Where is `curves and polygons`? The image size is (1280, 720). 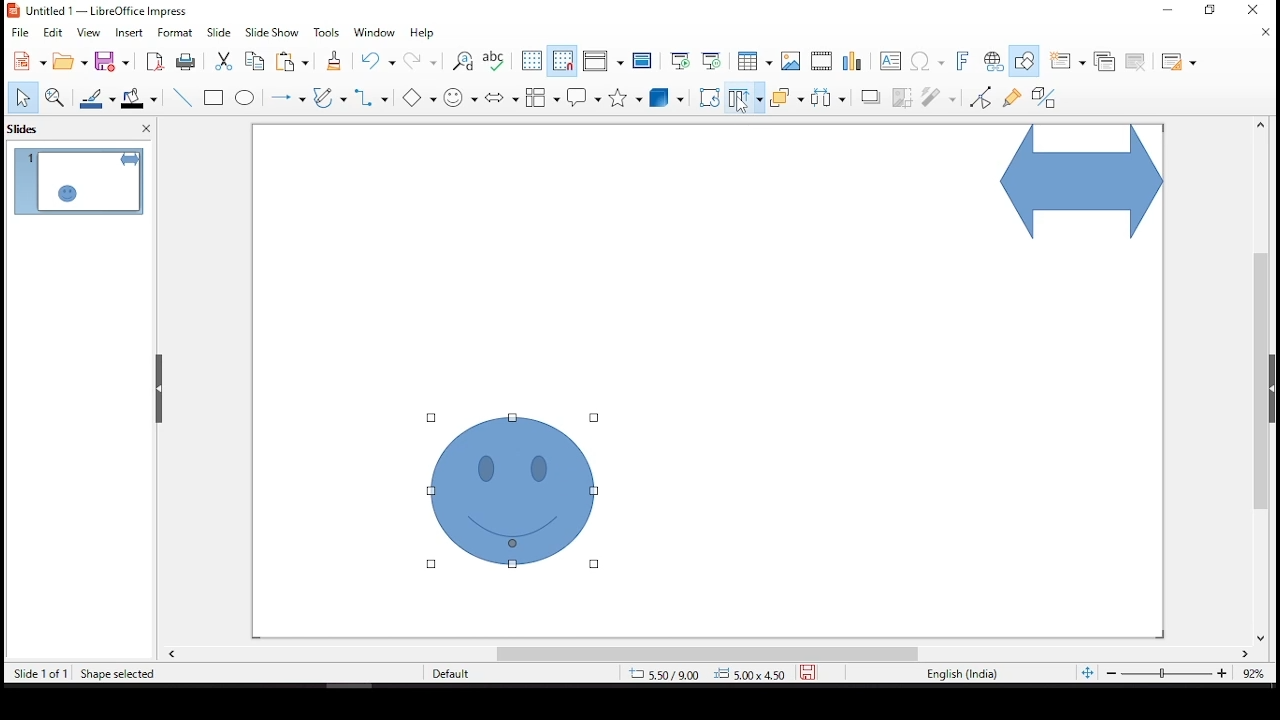
curves and polygons is located at coordinates (330, 99).